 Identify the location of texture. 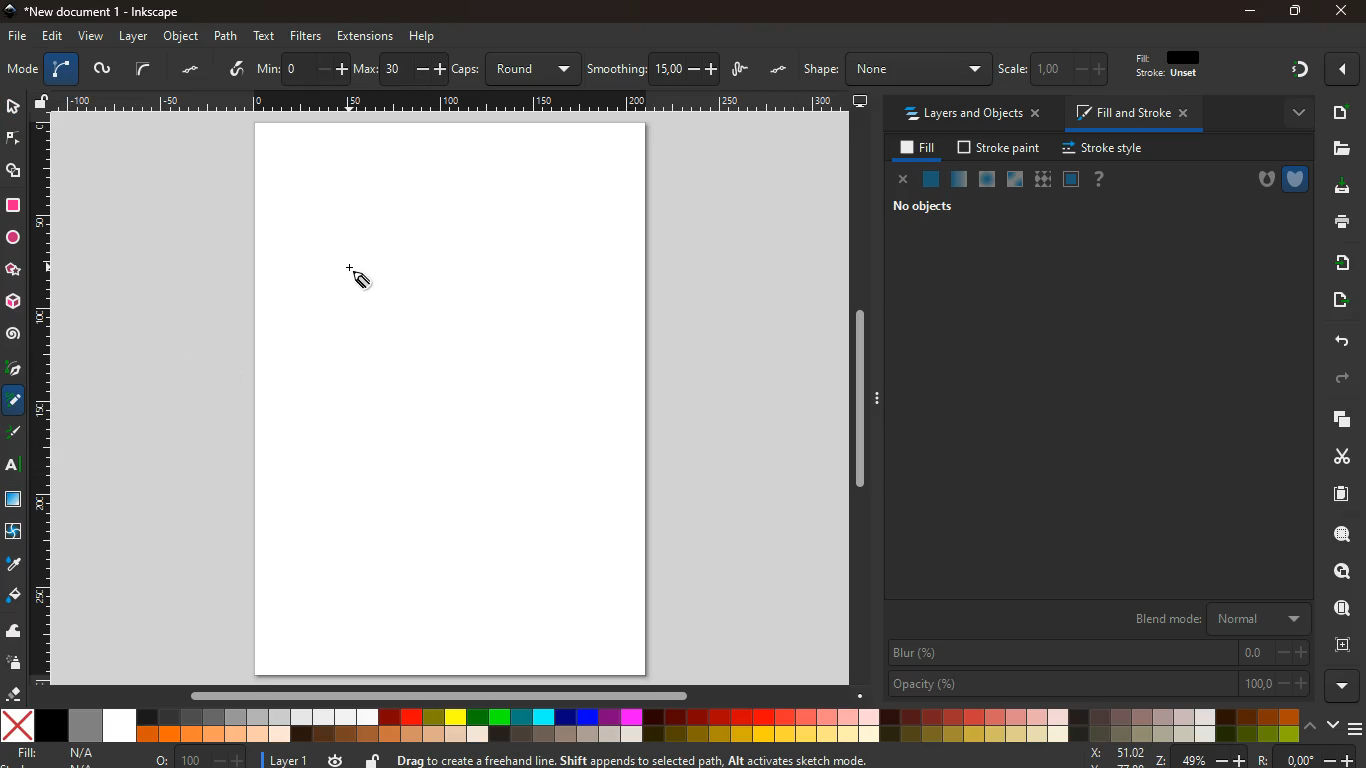
(14, 499).